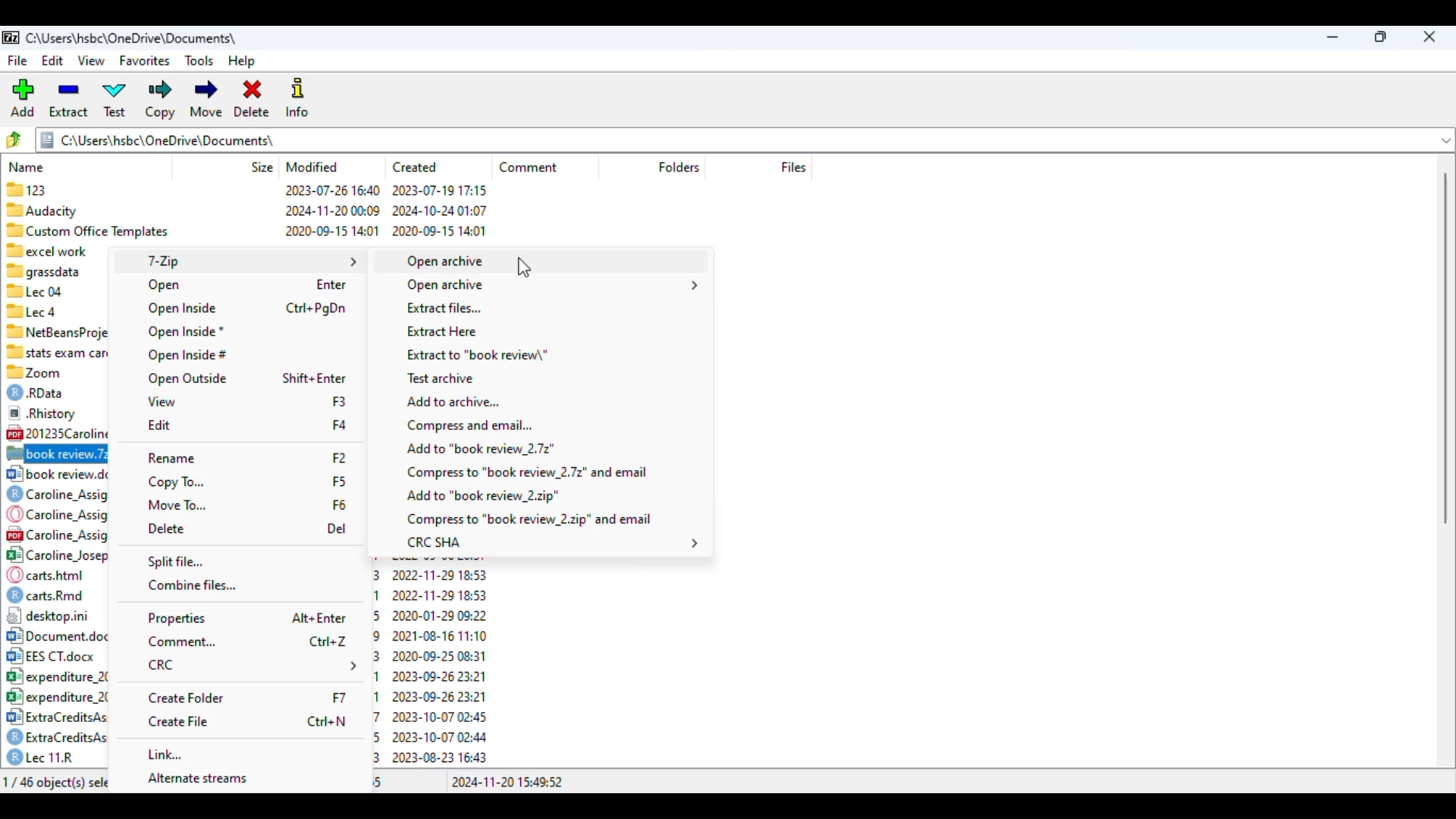 This screenshot has width=1456, height=819. What do you see at coordinates (57, 656) in the screenshot?
I see `[+2 EES CT.docx 16886 2020-08-27 13:43 2020-09-25 08:31` at bounding box center [57, 656].